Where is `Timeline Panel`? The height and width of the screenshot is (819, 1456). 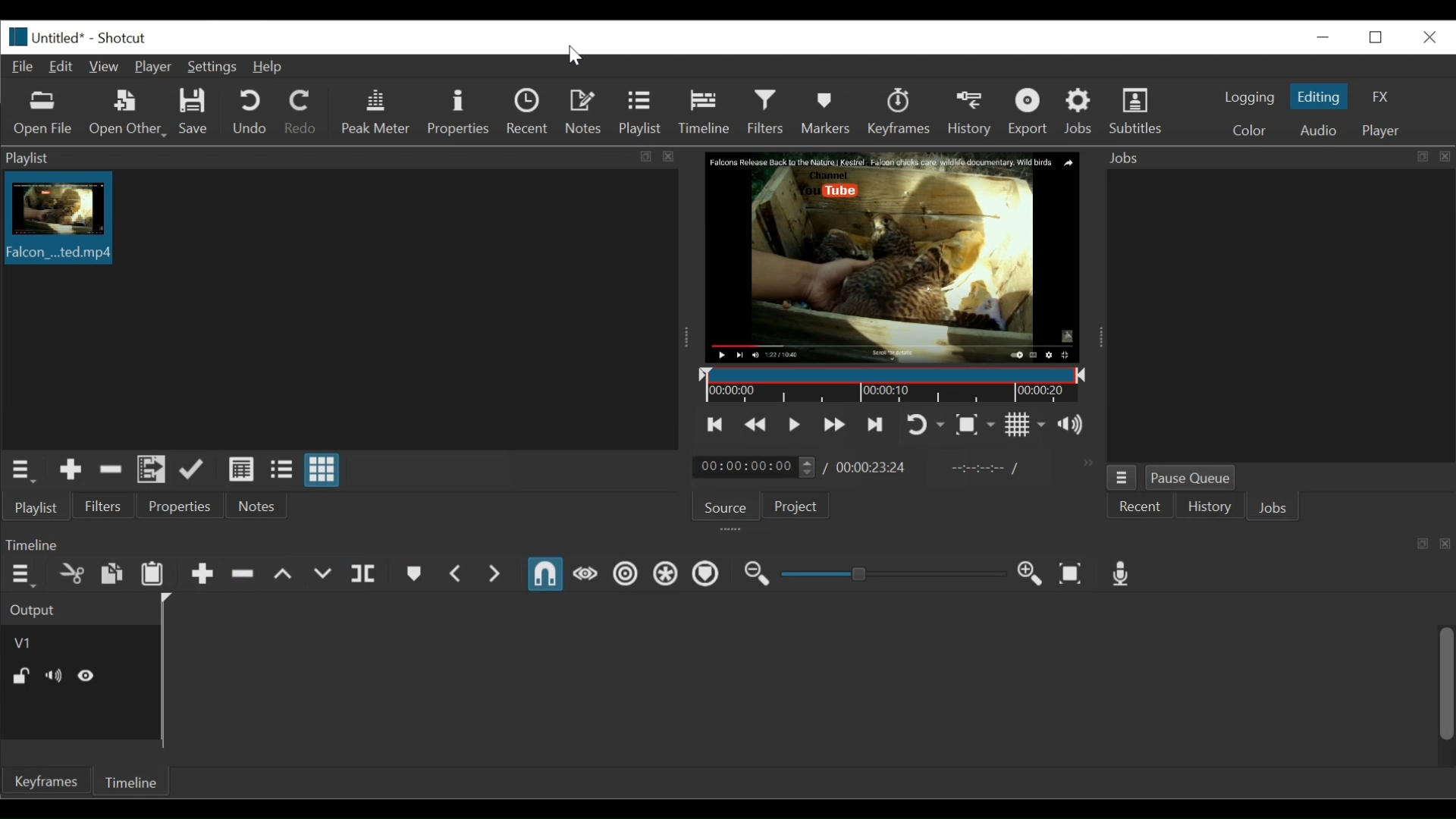 Timeline Panel is located at coordinates (725, 544).